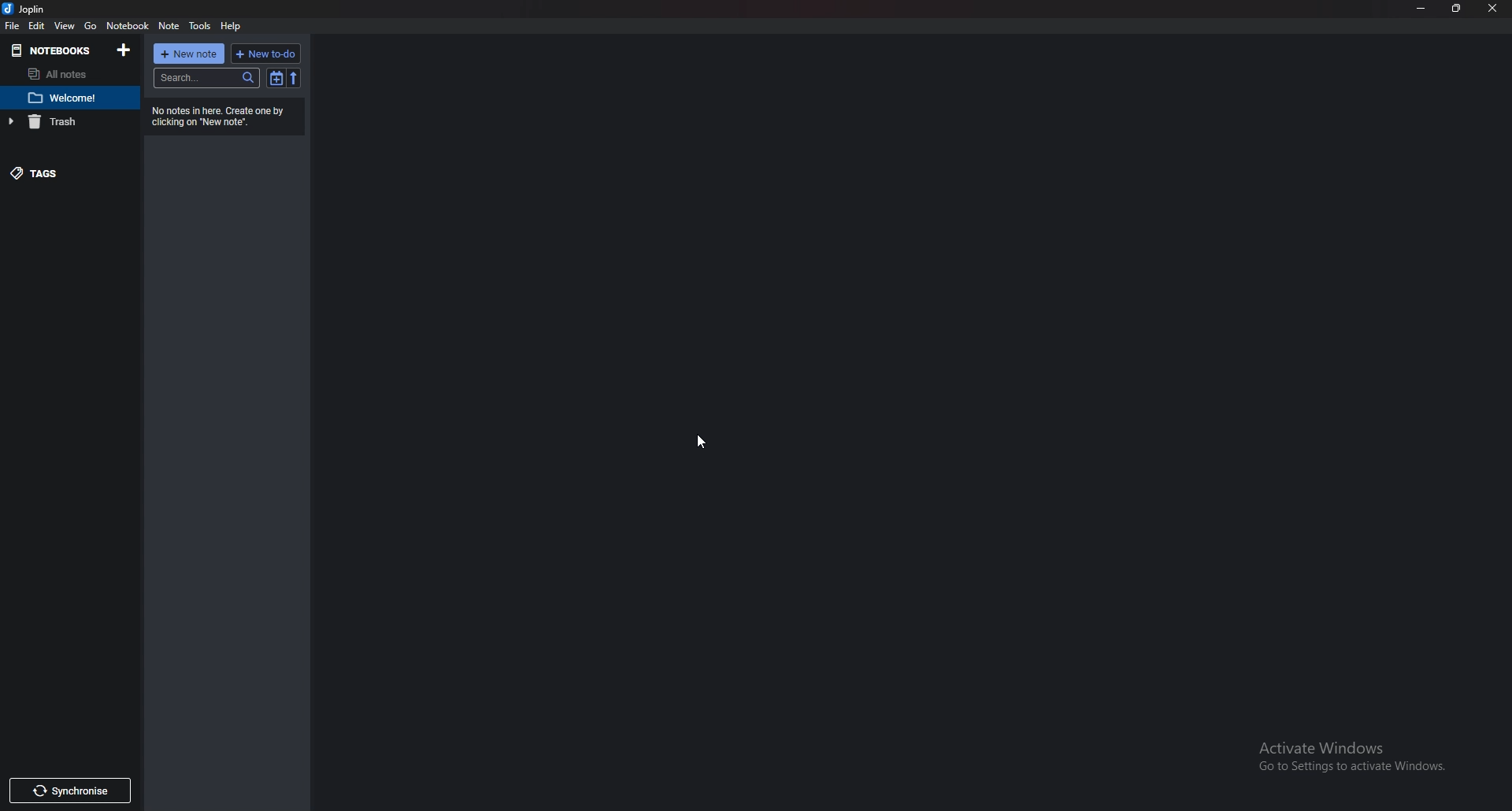 Image resolution: width=1512 pixels, height=811 pixels. Describe the element at coordinates (65, 172) in the screenshot. I see `tags` at that location.